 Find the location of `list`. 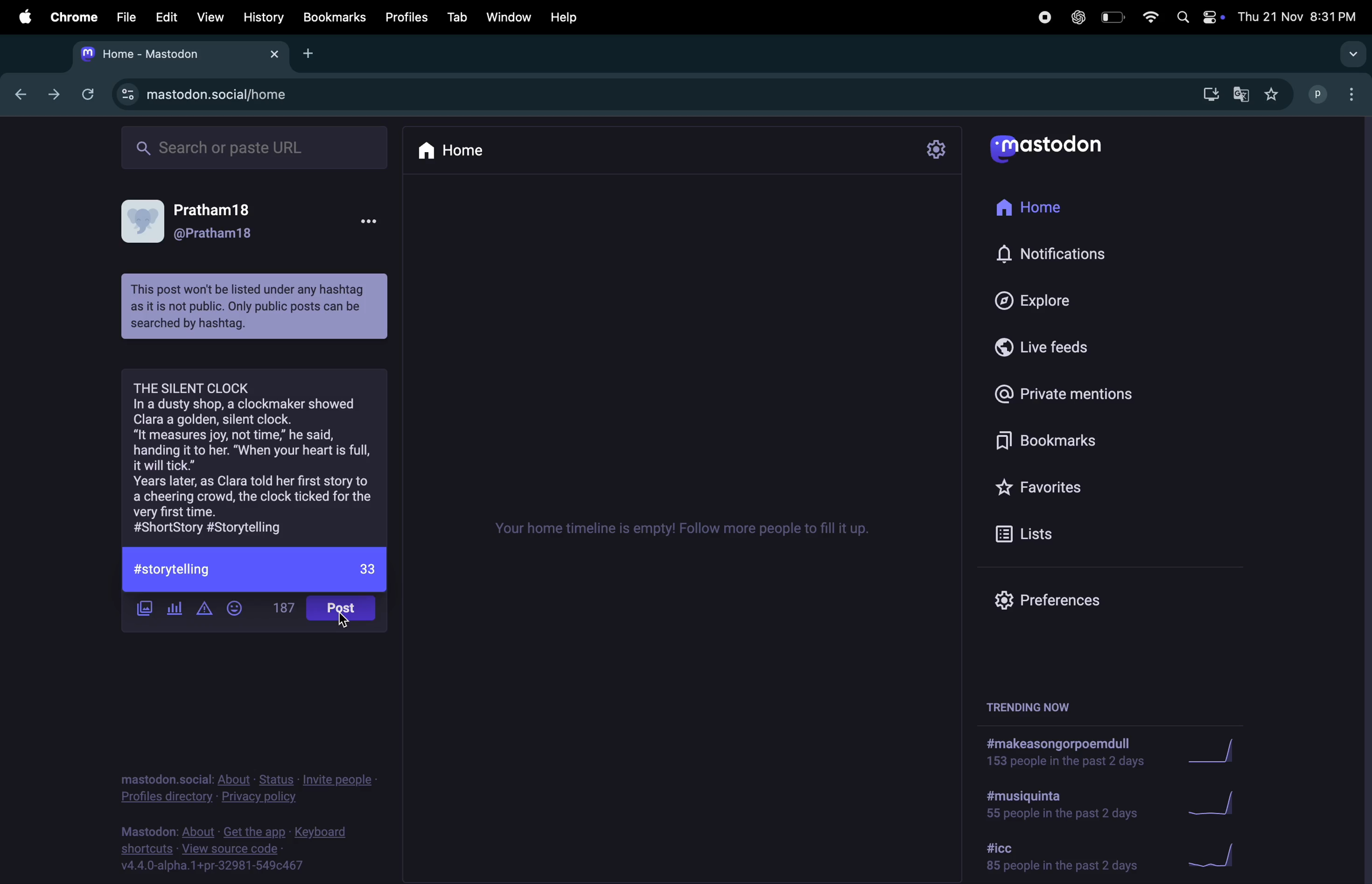

list is located at coordinates (1054, 538).